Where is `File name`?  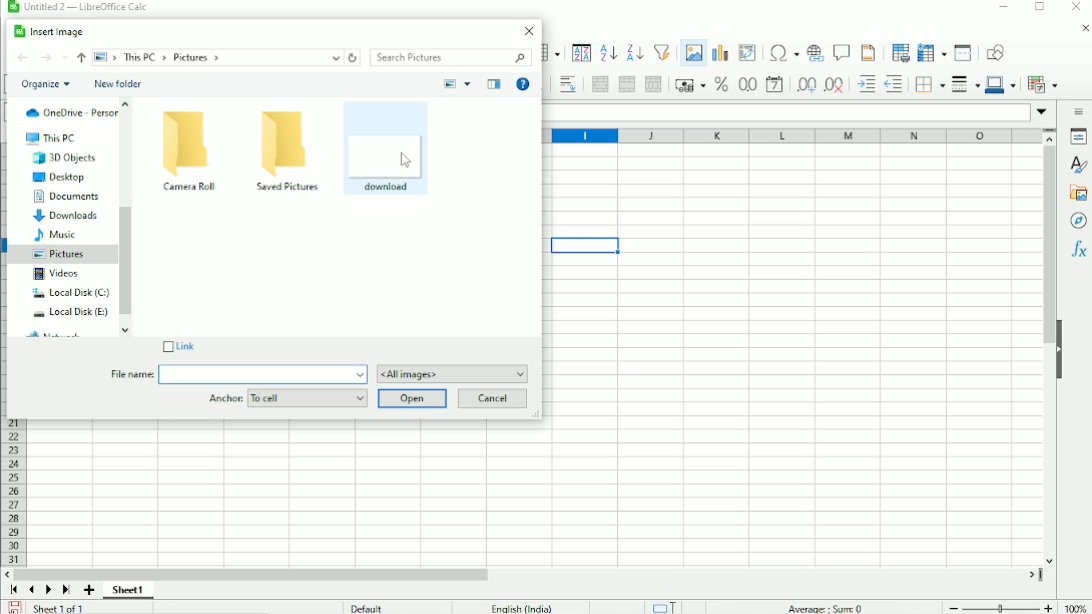 File name is located at coordinates (131, 375).